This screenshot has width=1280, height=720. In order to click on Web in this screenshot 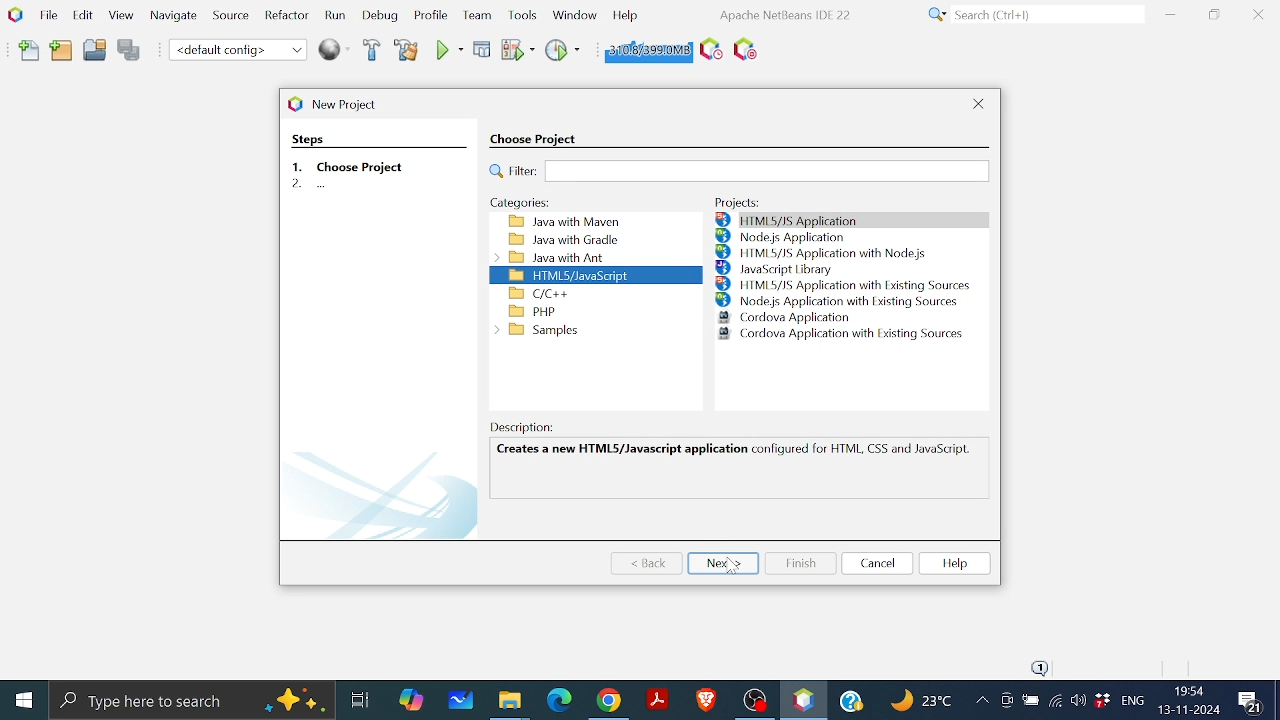, I will do `click(336, 48)`.